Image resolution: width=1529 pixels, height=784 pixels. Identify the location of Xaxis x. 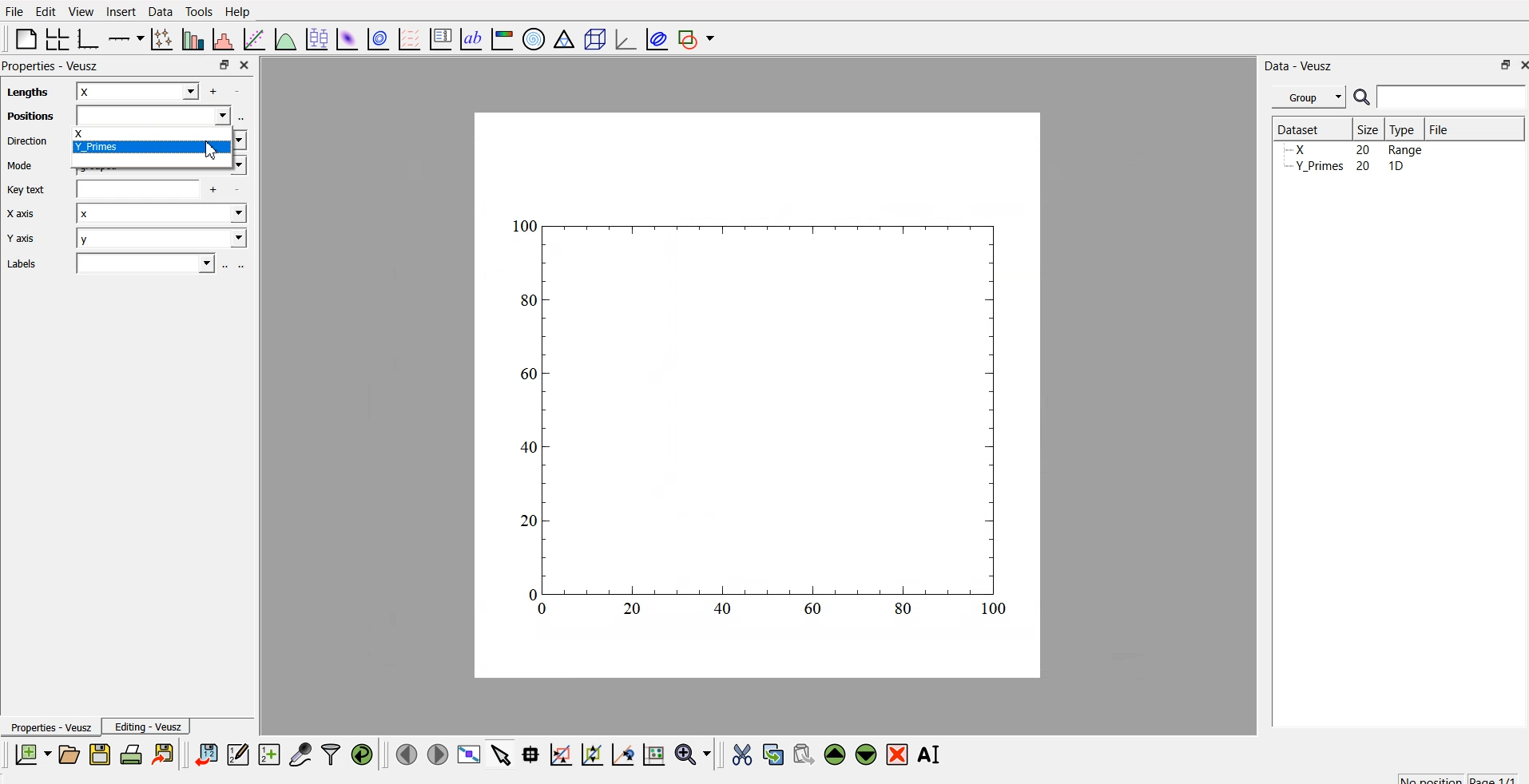
(131, 216).